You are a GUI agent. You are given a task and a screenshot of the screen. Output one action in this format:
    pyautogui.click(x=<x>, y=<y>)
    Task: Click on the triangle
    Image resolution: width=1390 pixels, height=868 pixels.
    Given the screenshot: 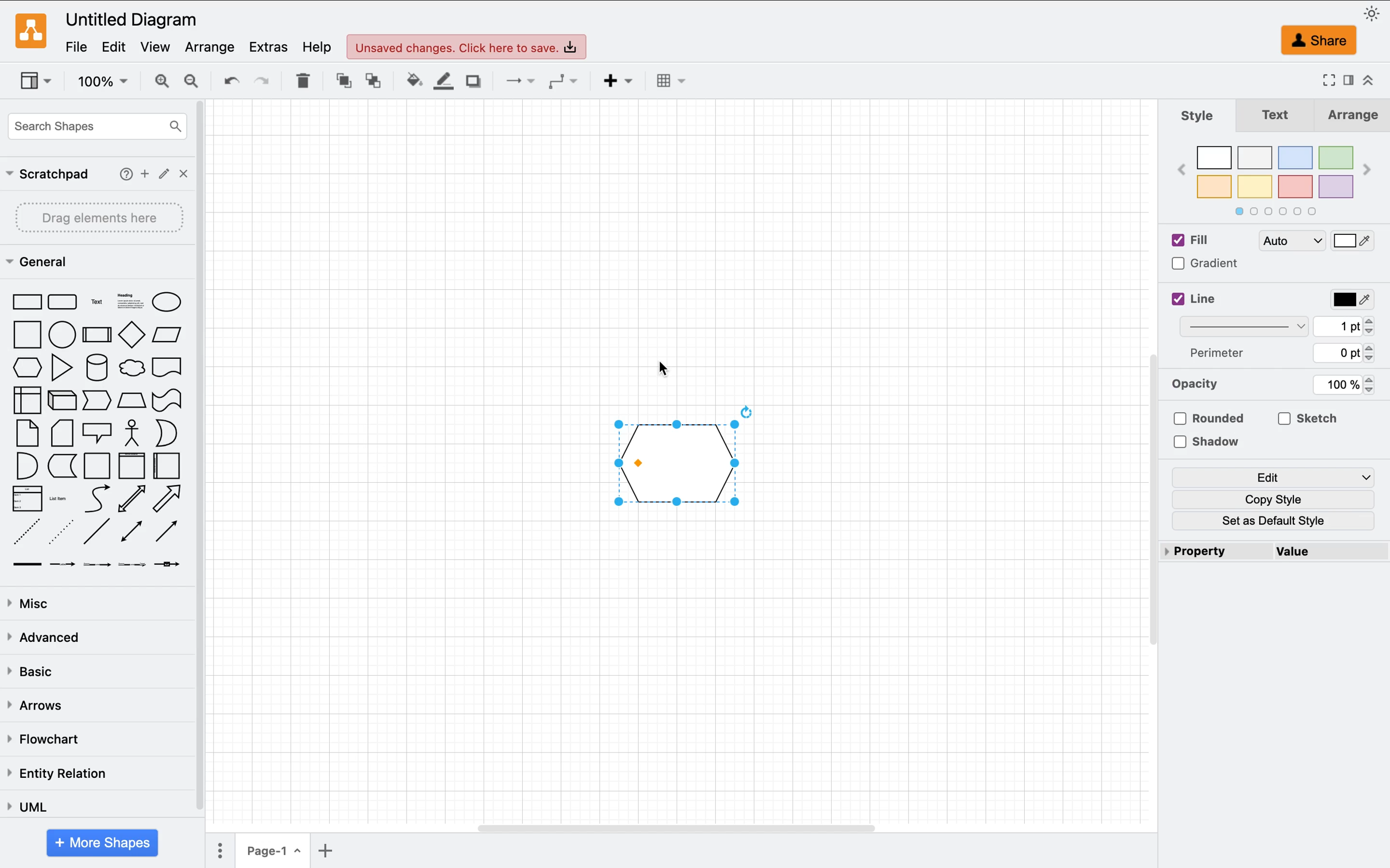 What is the action you would take?
    pyautogui.click(x=61, y=367)
    